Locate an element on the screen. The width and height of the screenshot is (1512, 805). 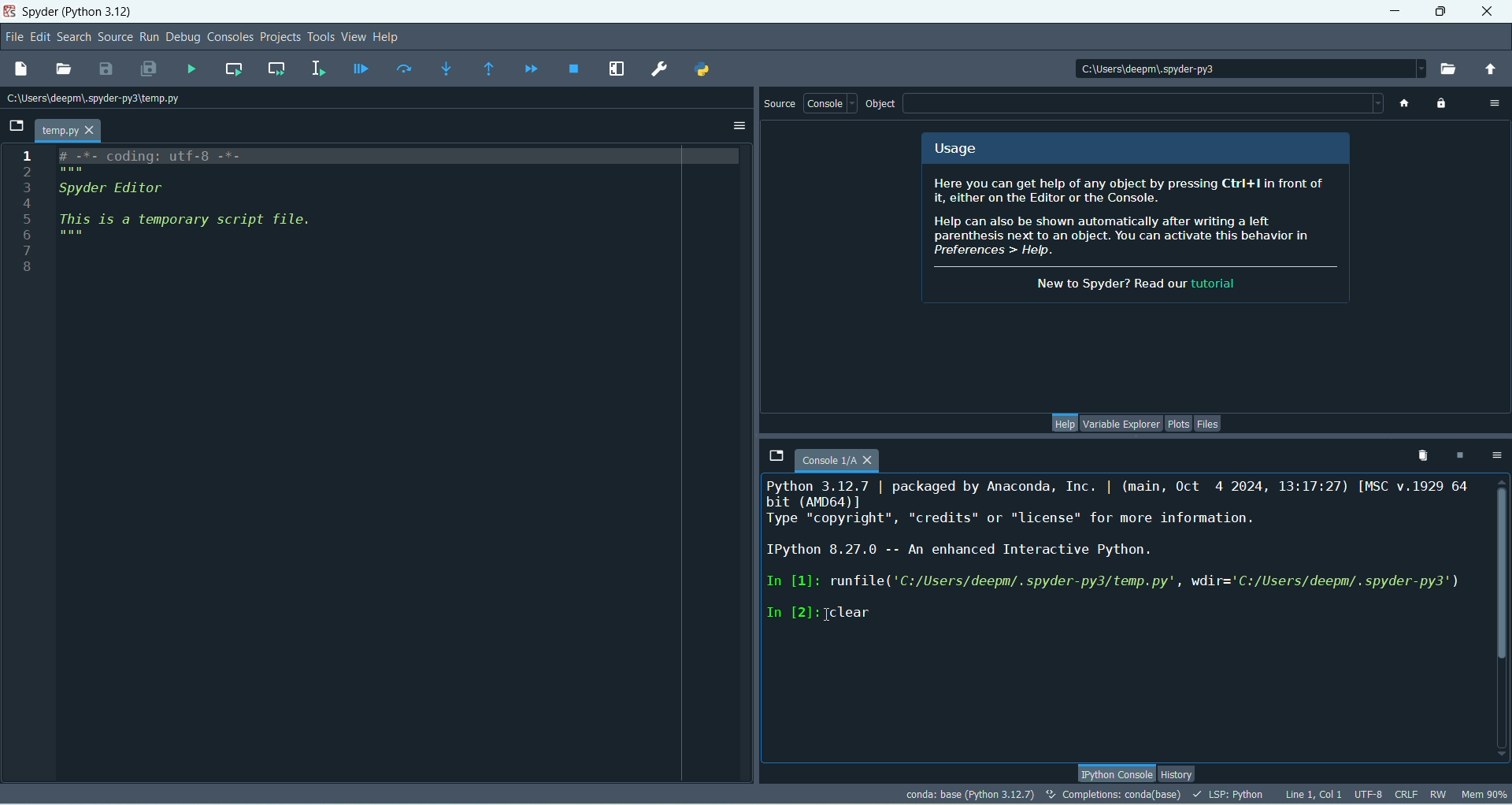
save all files is located at coordinates (150, 68).